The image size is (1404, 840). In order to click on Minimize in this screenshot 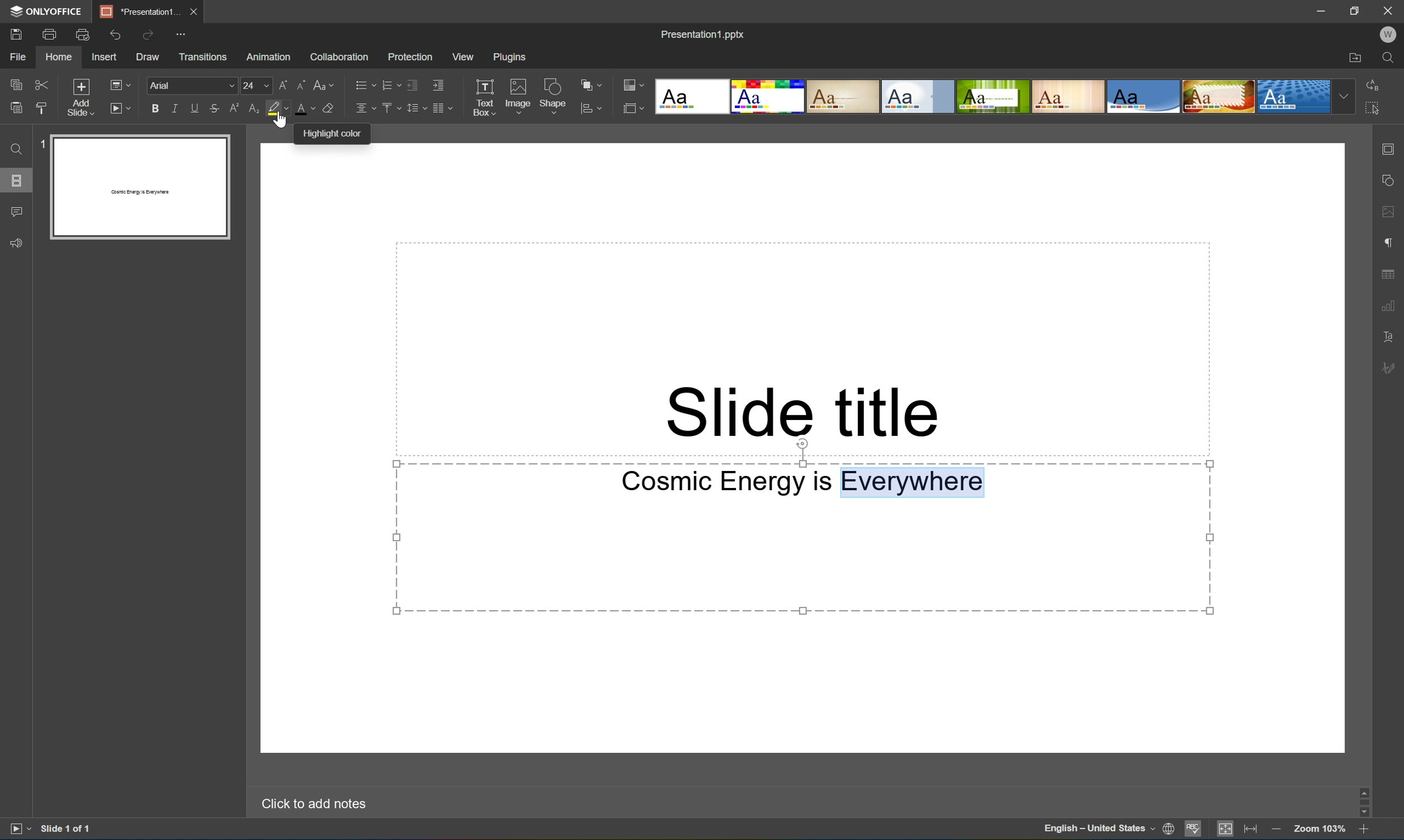, I will do `click(1322, 11)`.